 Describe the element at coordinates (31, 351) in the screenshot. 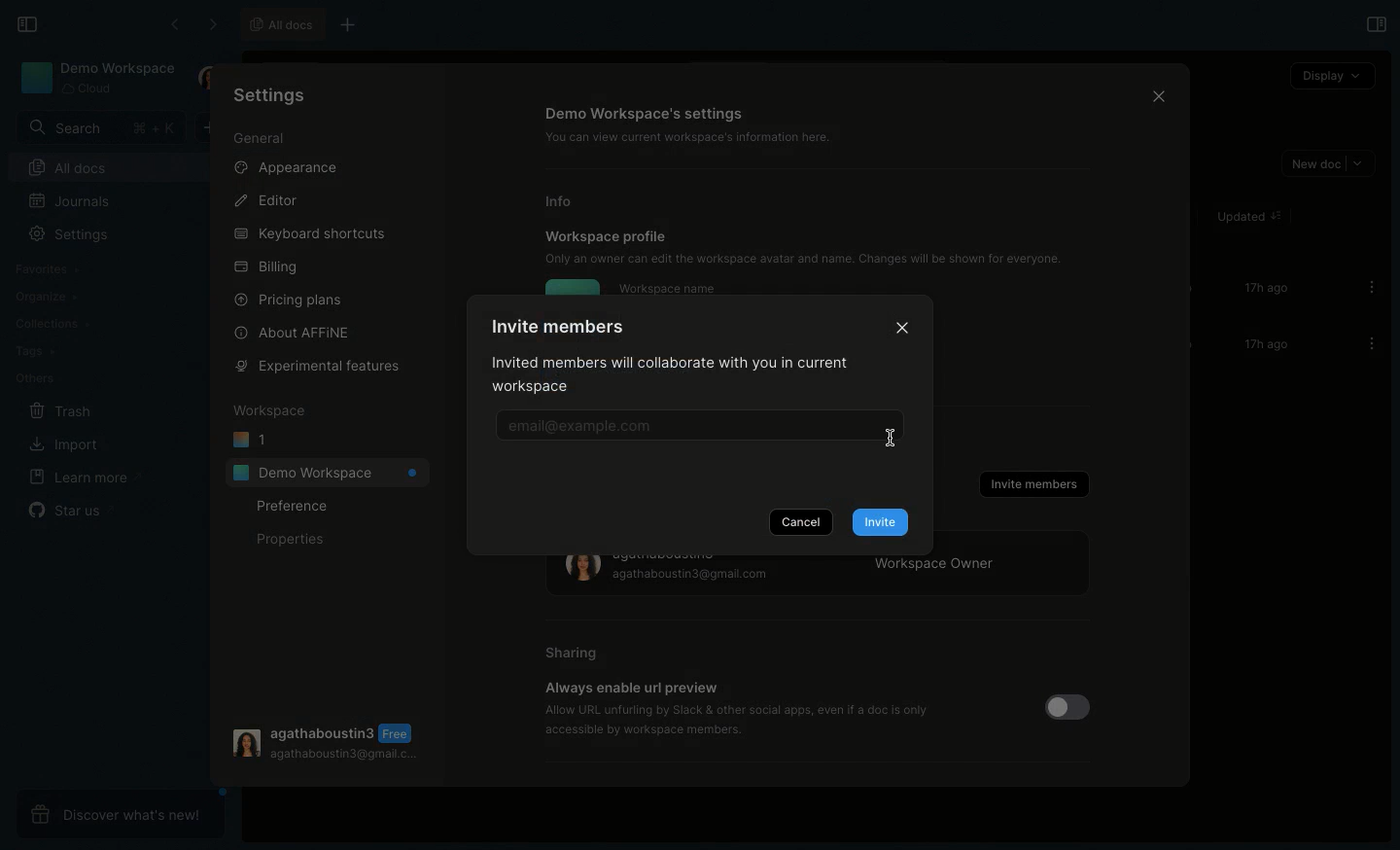

I see `Tags` at that location.